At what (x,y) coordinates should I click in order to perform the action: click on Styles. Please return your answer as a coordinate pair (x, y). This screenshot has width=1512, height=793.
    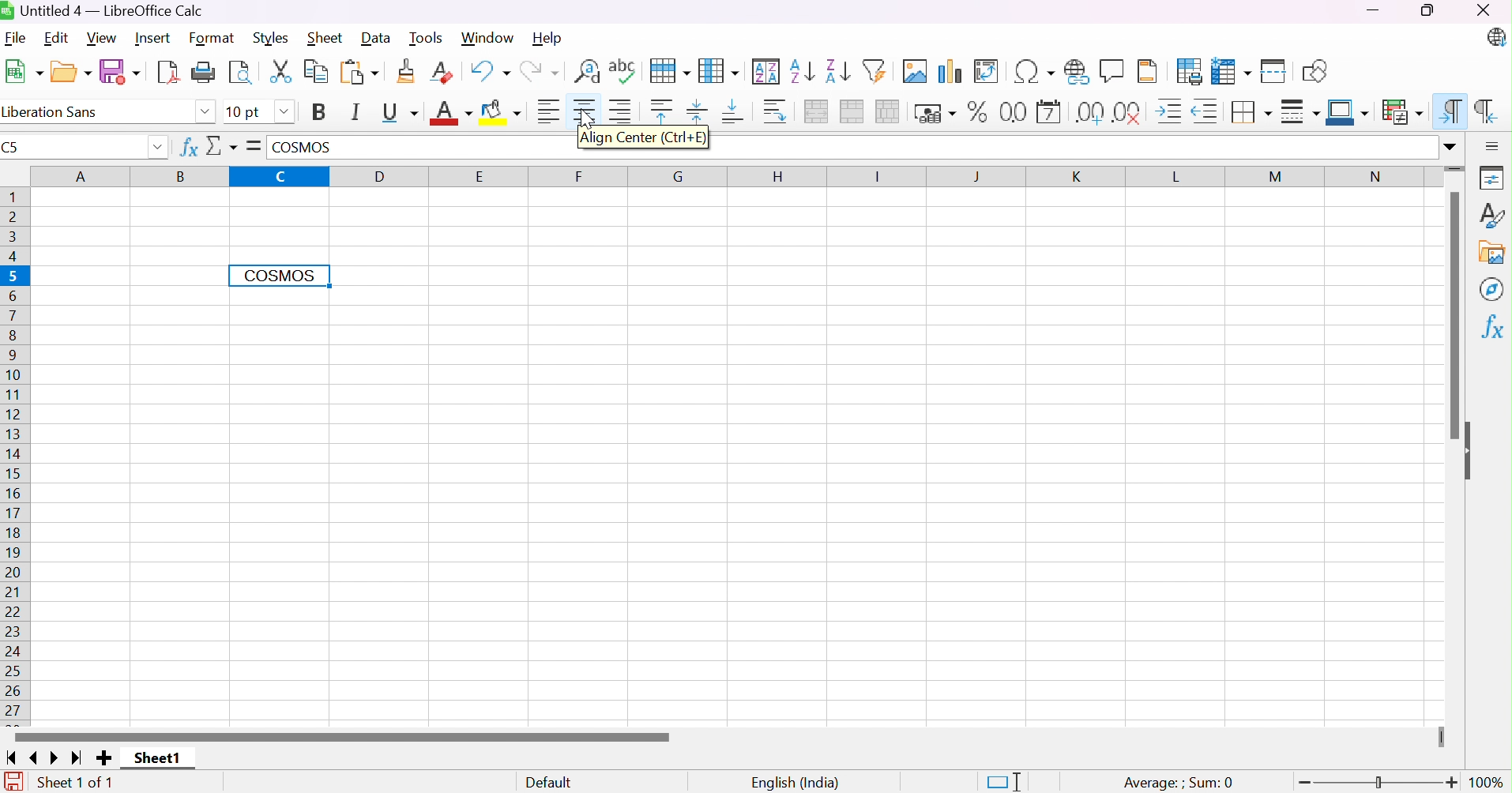
    Looking at the image, I should click on (1496, 217).